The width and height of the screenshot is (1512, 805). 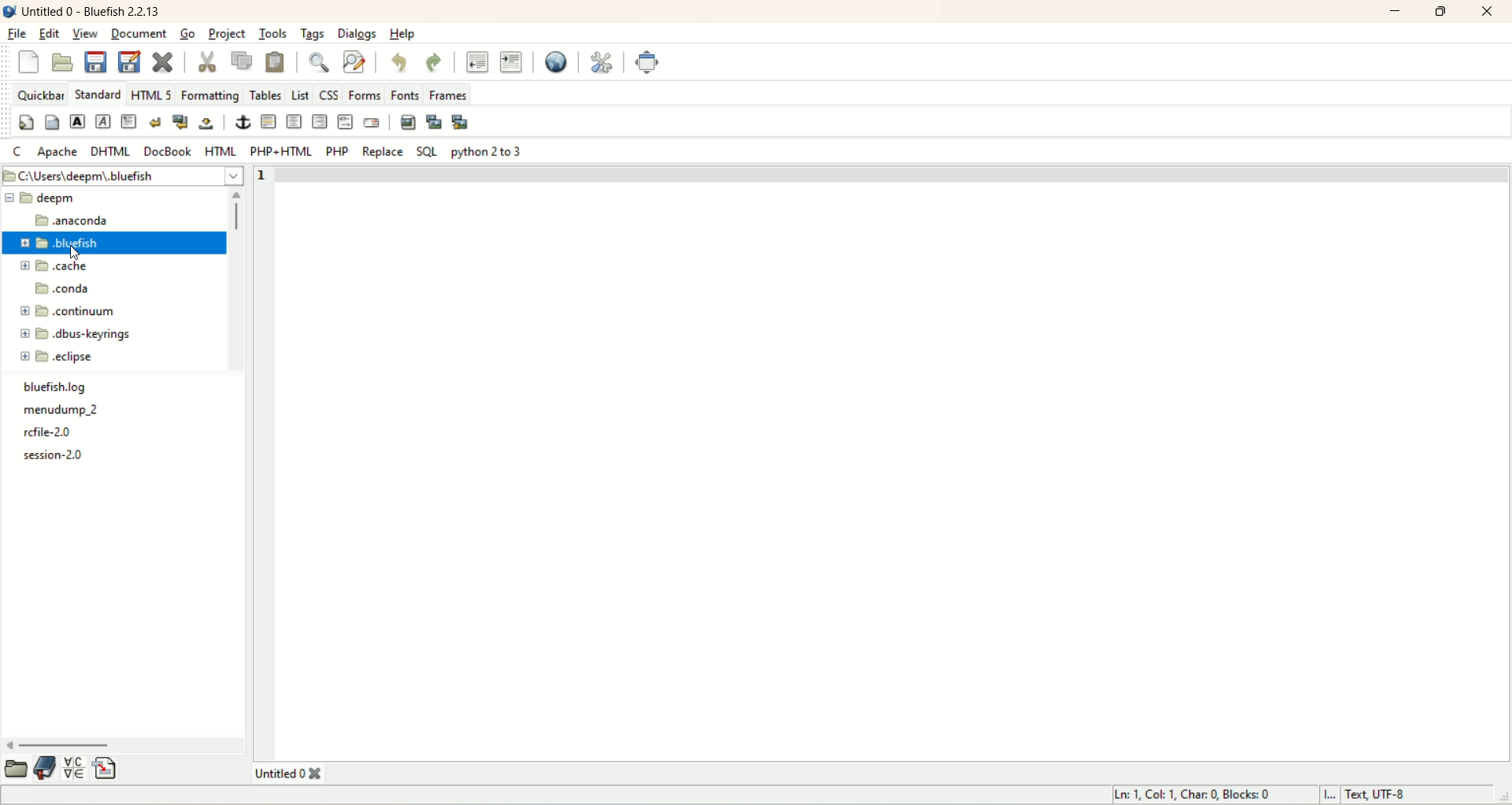 What do you see at coordinates (374, 124) in the screenshot?
I see `email` at bounding box center [374, 124].